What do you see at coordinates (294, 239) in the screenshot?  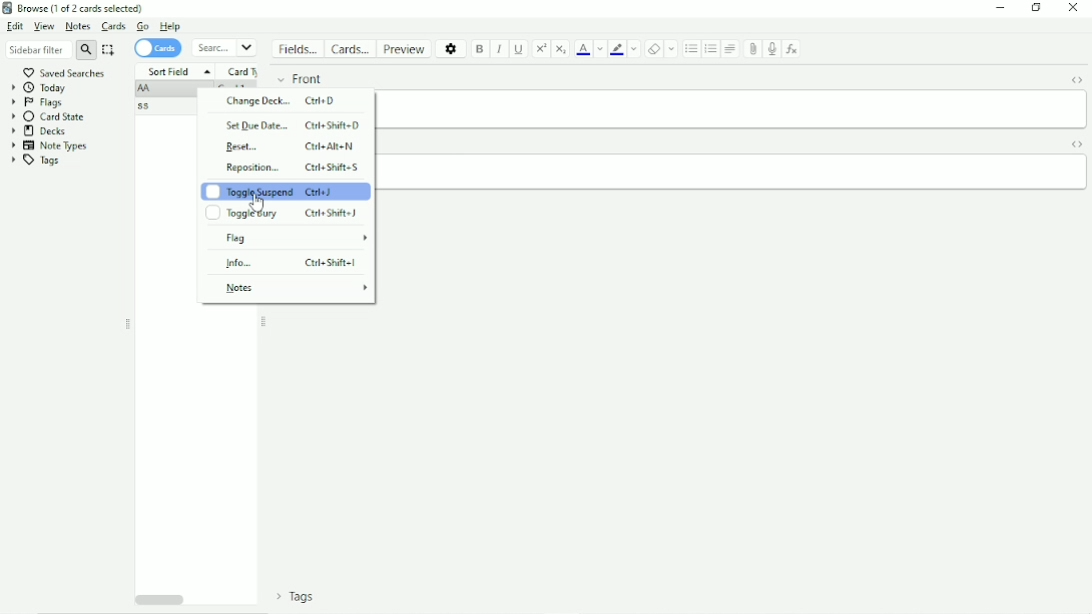 I see `Flag` at bounding box center [294, 239].